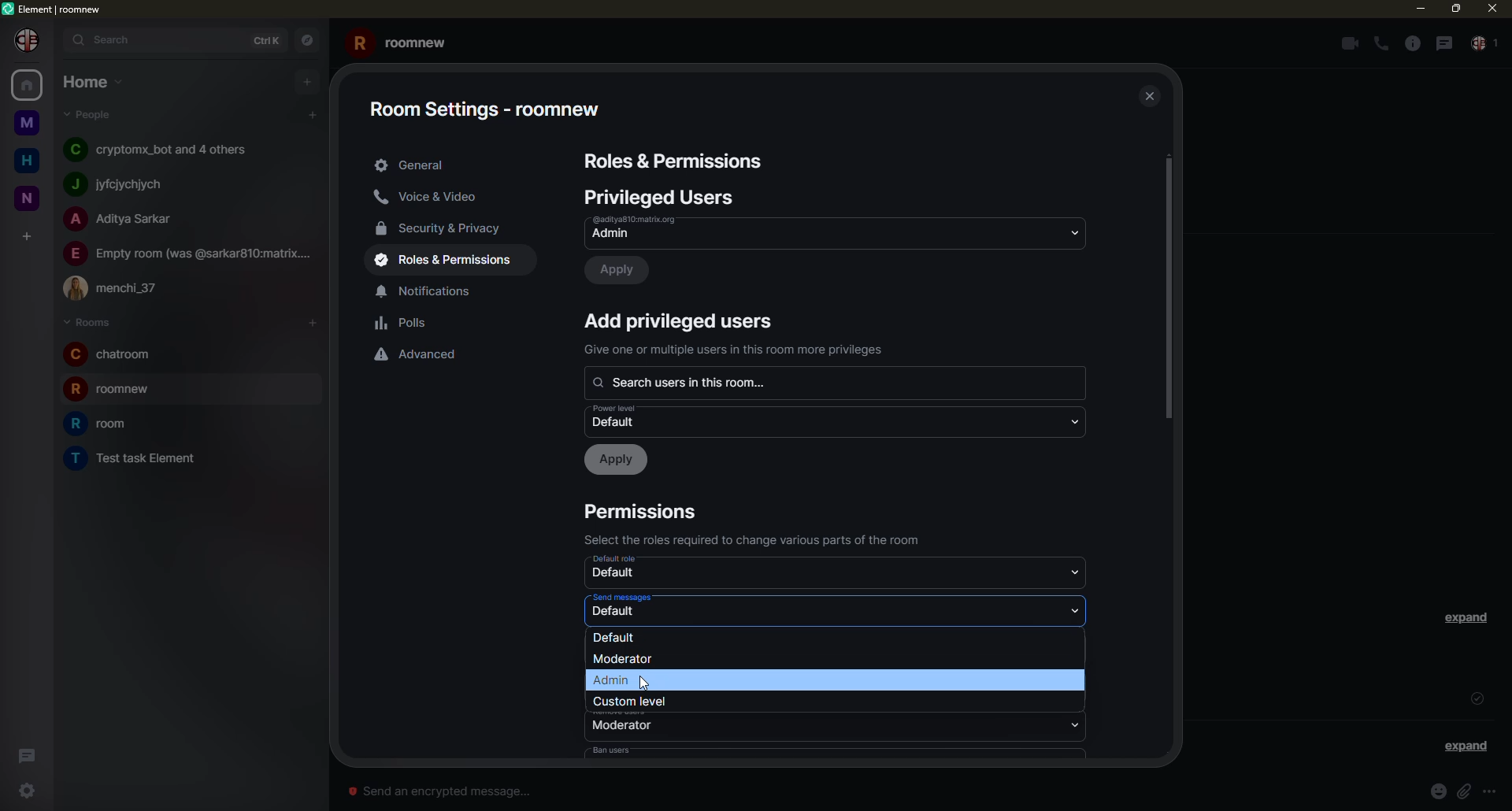  I want to click on geeral, so click(412, 165).